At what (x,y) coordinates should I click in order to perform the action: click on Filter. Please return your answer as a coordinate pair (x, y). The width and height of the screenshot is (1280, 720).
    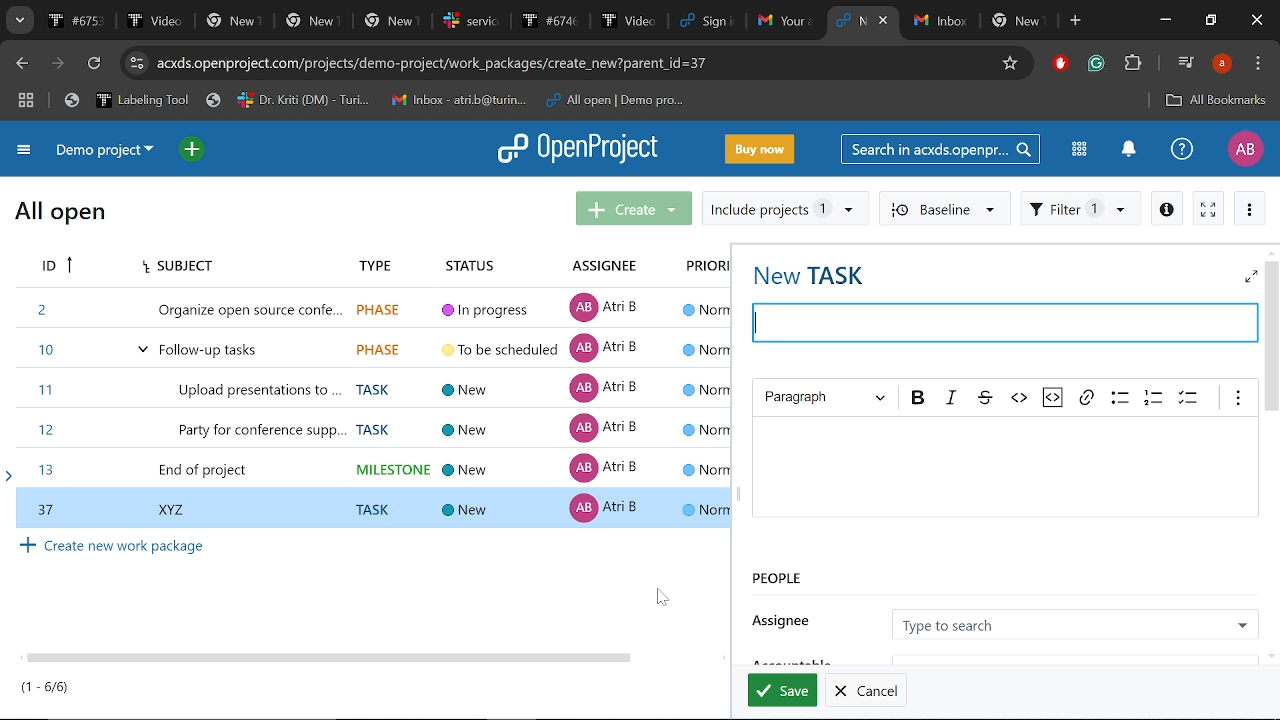
    Looking at the image, I should click on (1081, 207).